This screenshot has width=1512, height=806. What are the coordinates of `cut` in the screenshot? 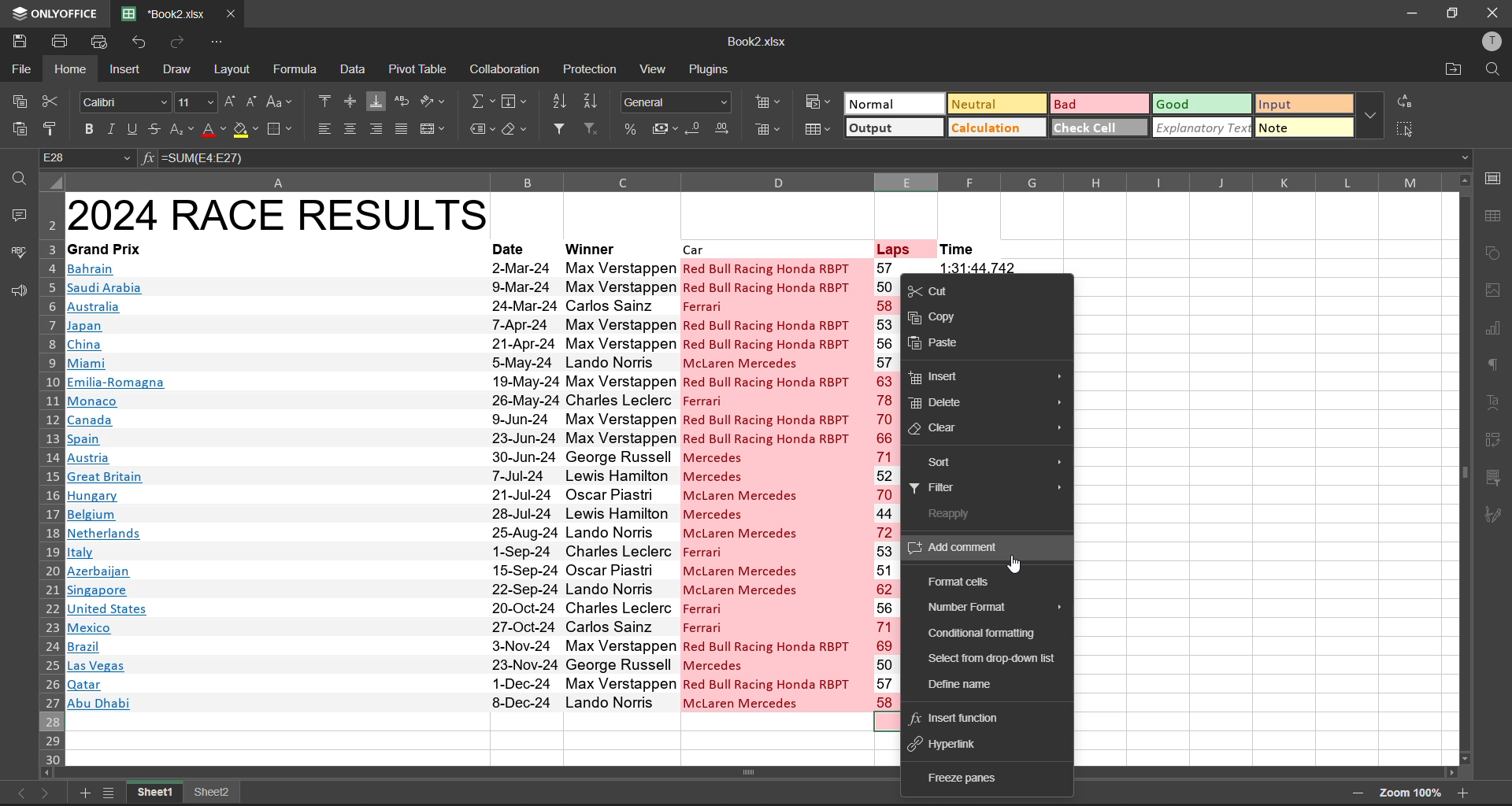 It's located at (52, 100).